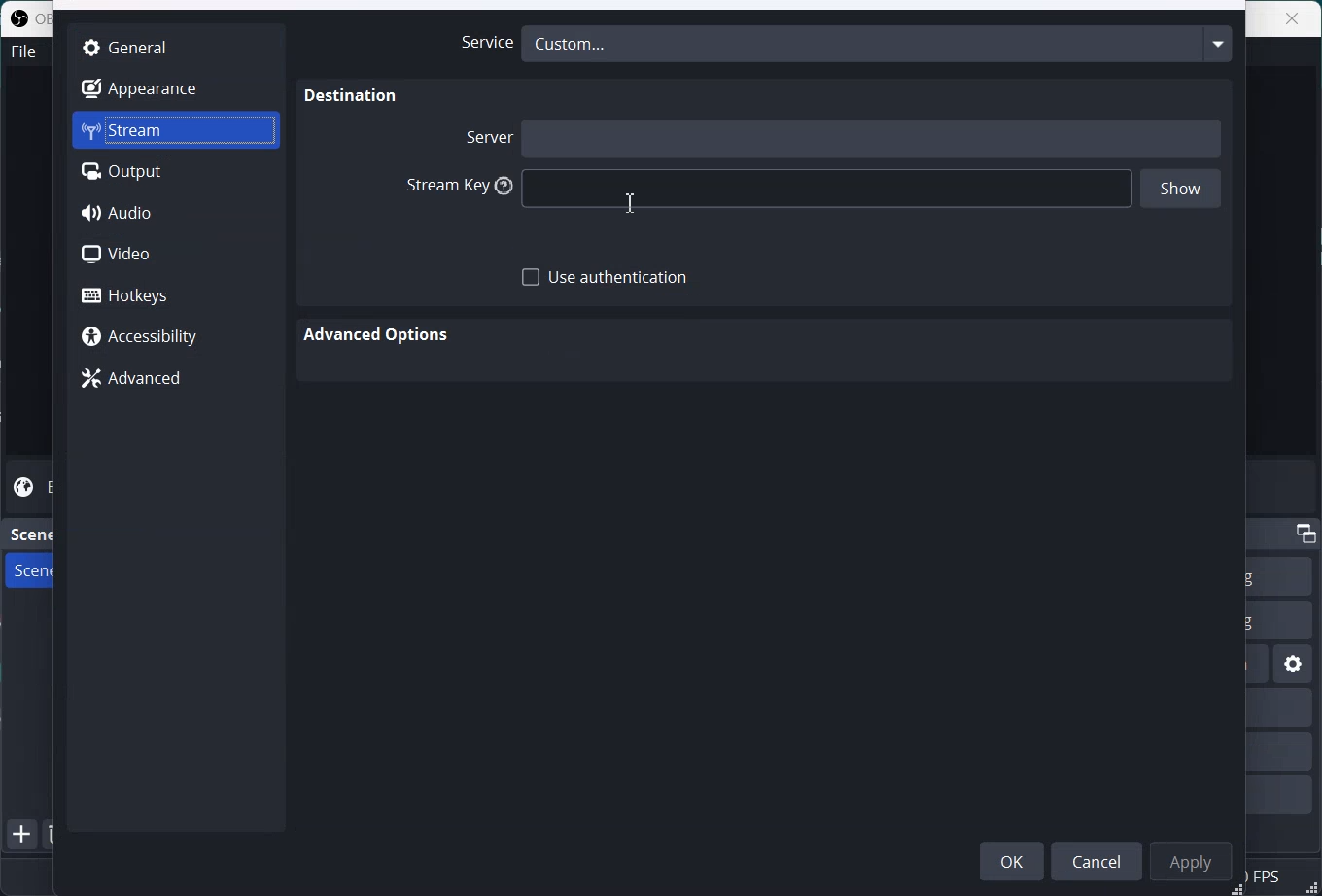  I want to click on Advanced, so click(175, 379).